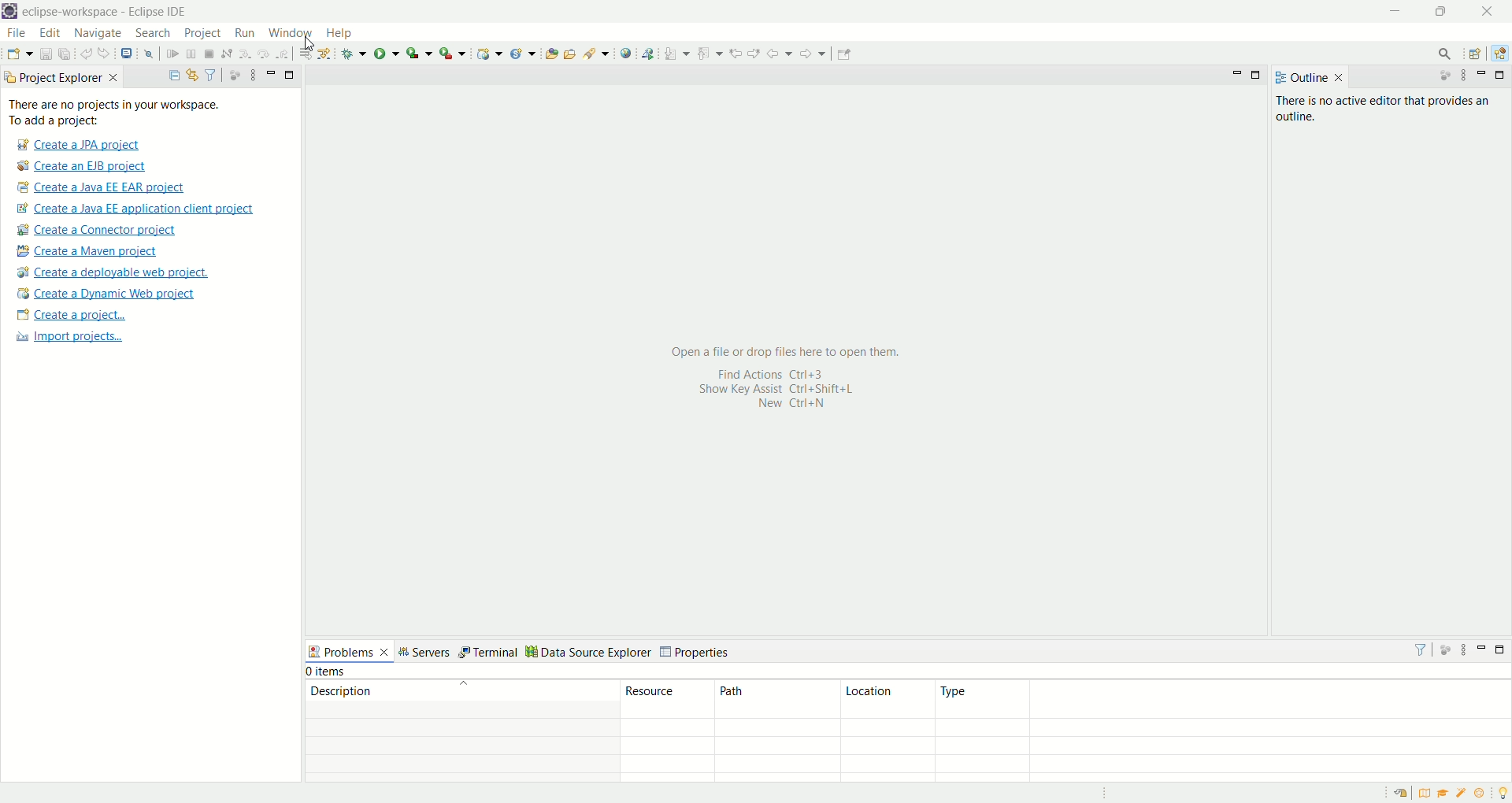 This screenshot has width=1512, height=803. Describe the element at coordinates (1399, 794) in the screenshot. I see `restore welcome` at that location.